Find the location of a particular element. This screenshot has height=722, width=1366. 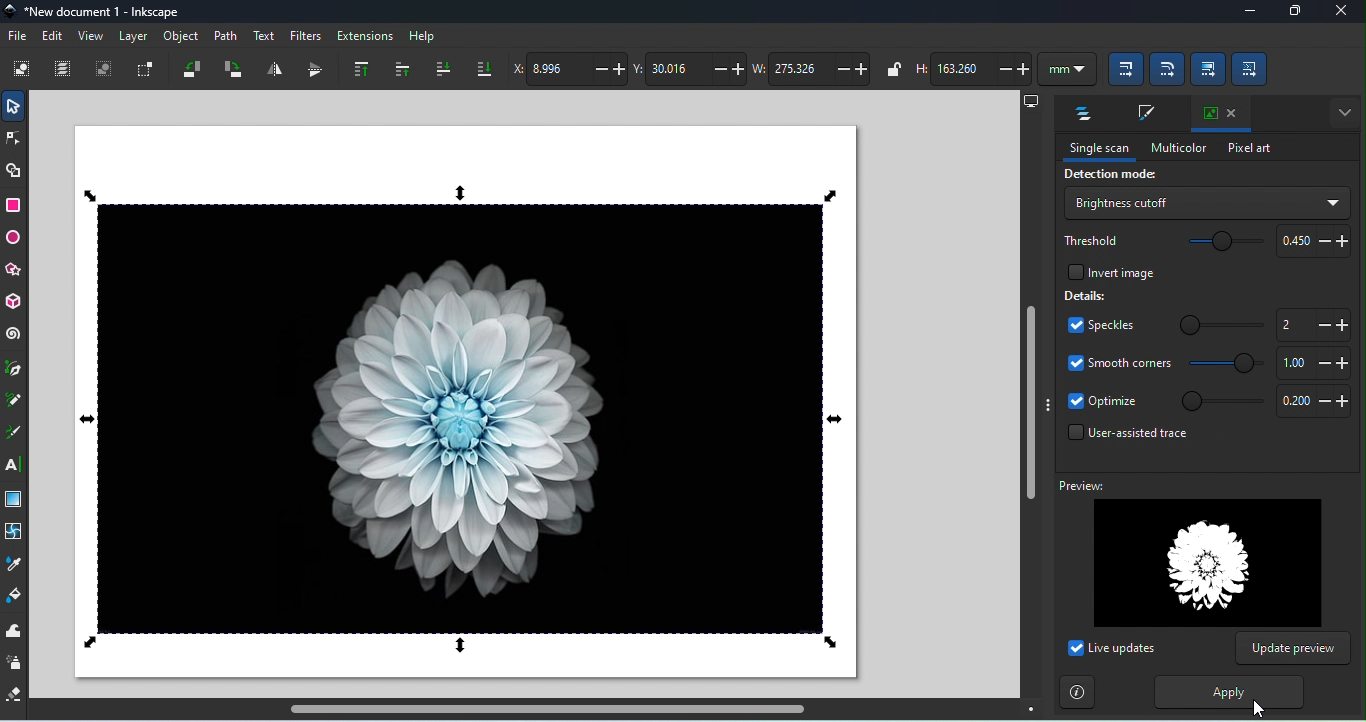

Instruction is located at coordinates (1078, 692).